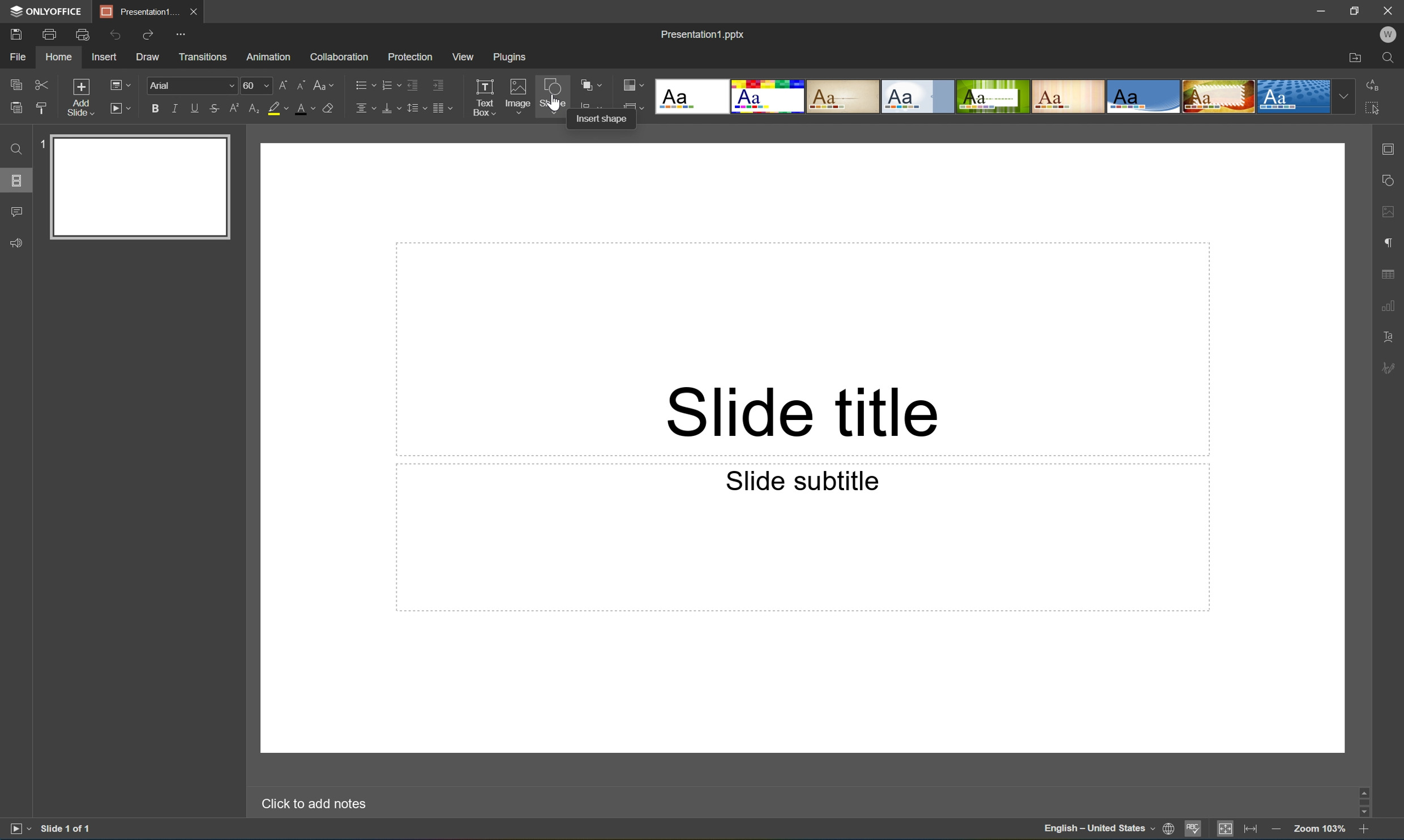  Describe the element at coordinates (301, 84) in the screenshot. I see `Decrement font size` at that location.